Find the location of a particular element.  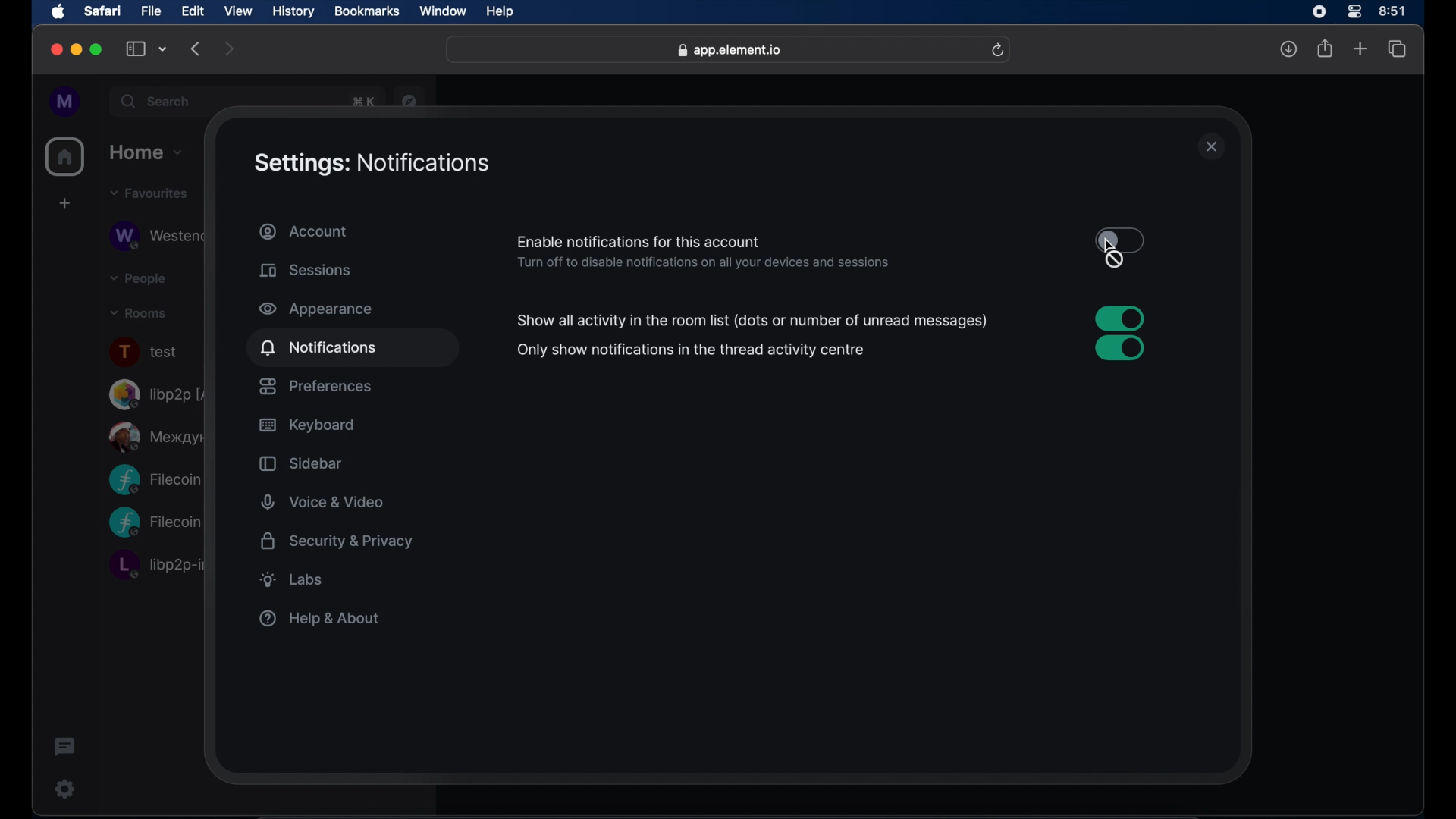

threads is located at coordinates (67, 748).